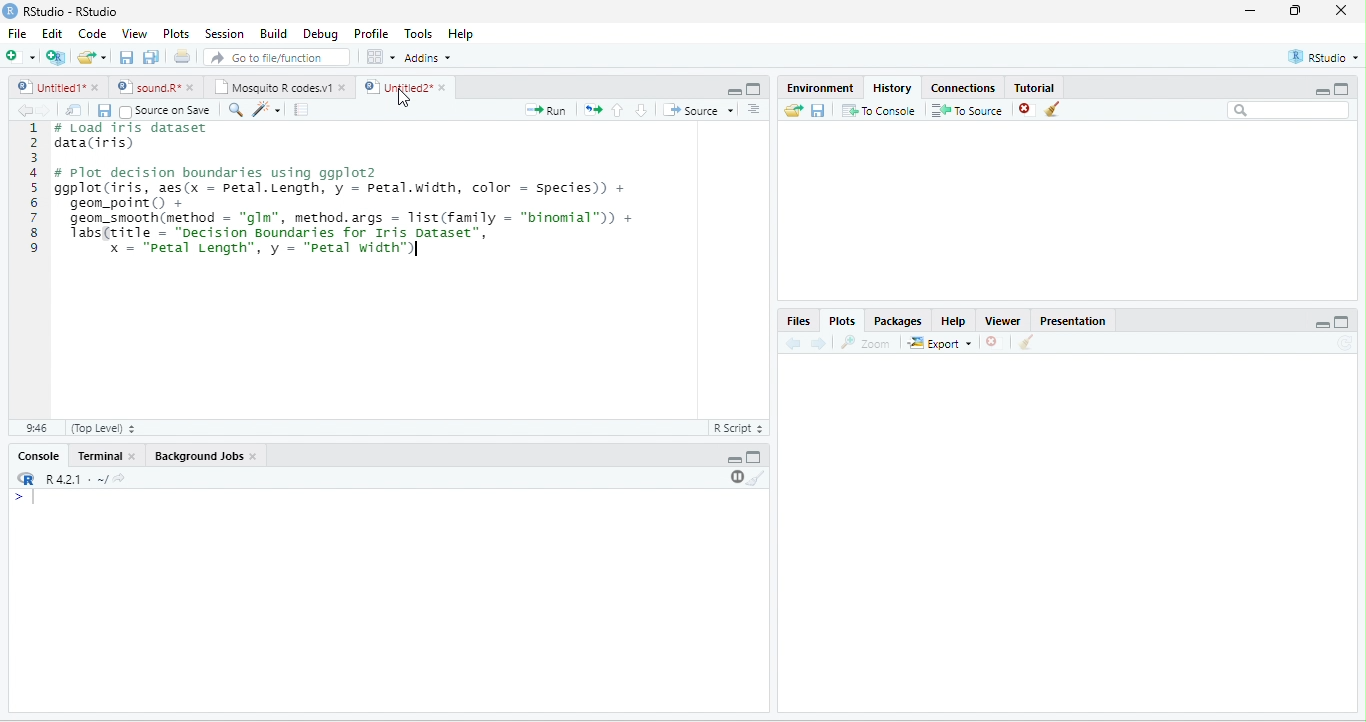  What do you see at coordinates (275, 34) in the screenshot?
I see `Build` at bounding box center [275, 34].